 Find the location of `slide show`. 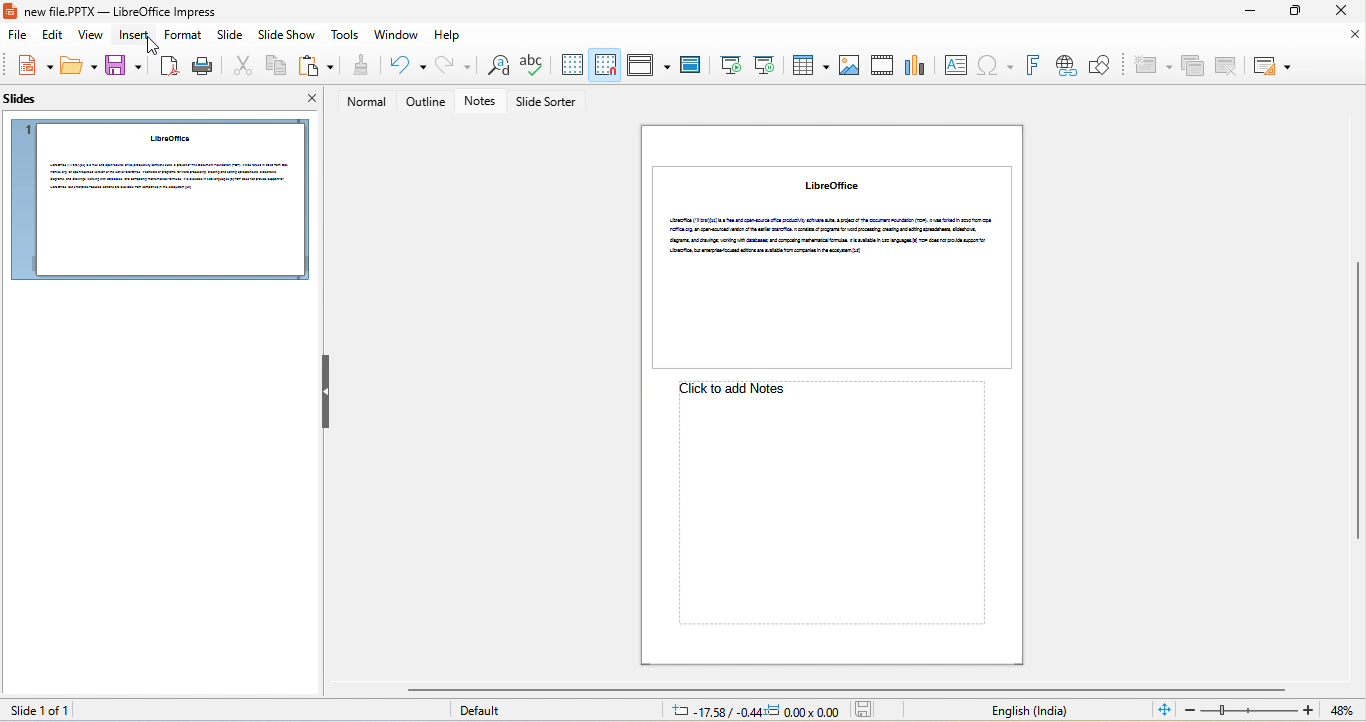

slide show is located at coordinates (287, 37).